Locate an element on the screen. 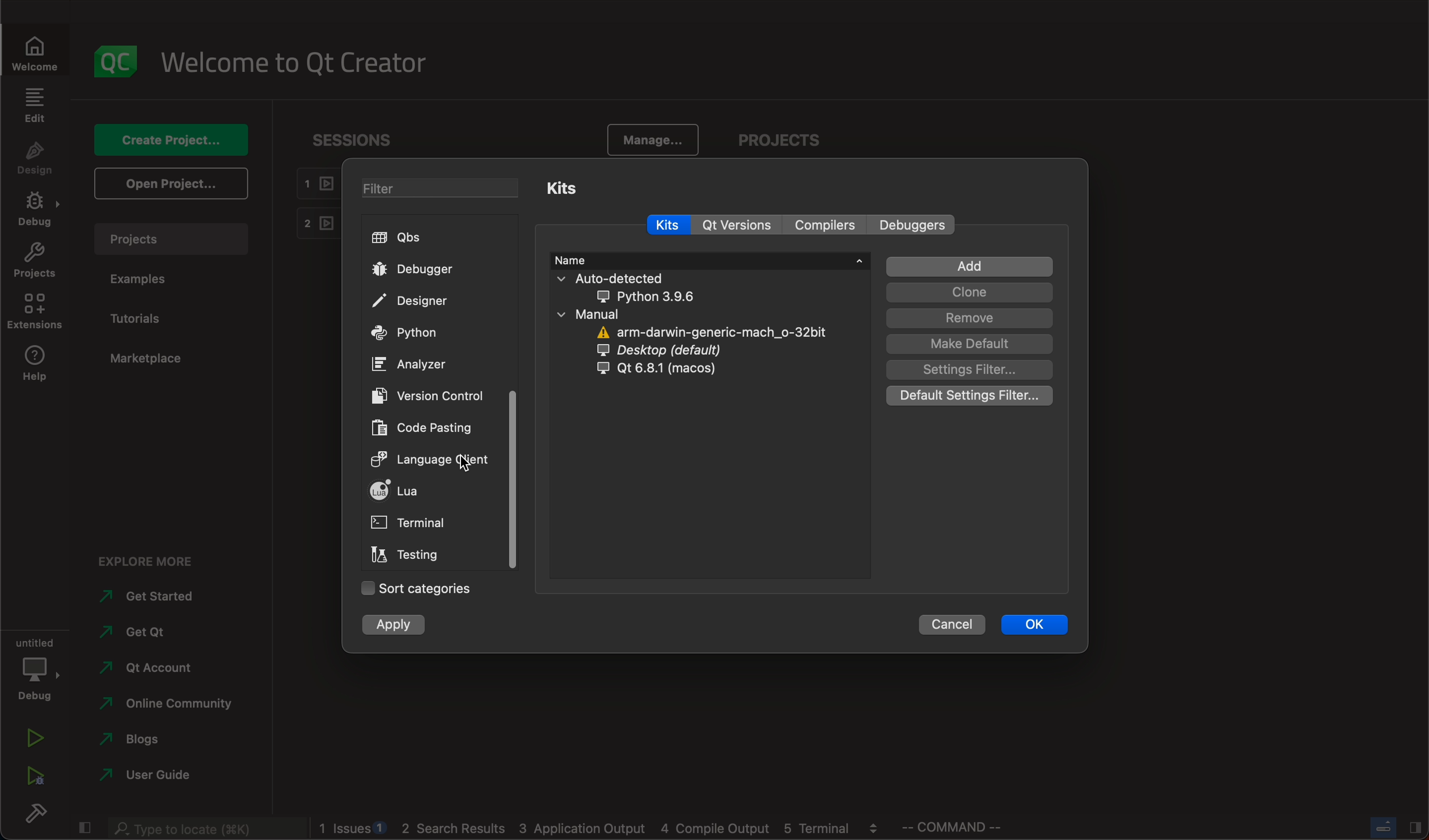 This screenshot has height=840, width=1429. kits is located at coordinates (585, 189).